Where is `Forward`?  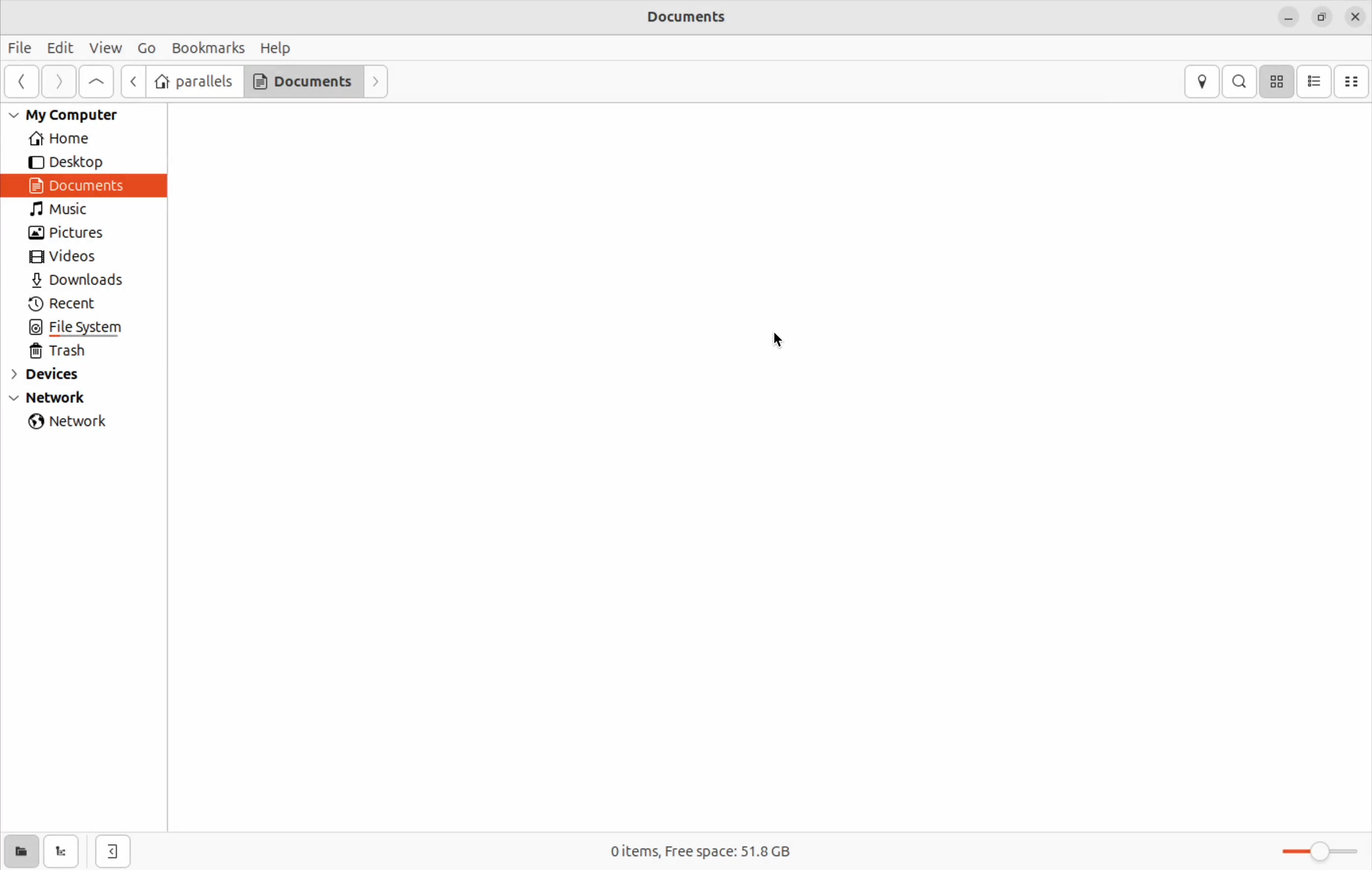
Forward is located at coordinates (58, 81).